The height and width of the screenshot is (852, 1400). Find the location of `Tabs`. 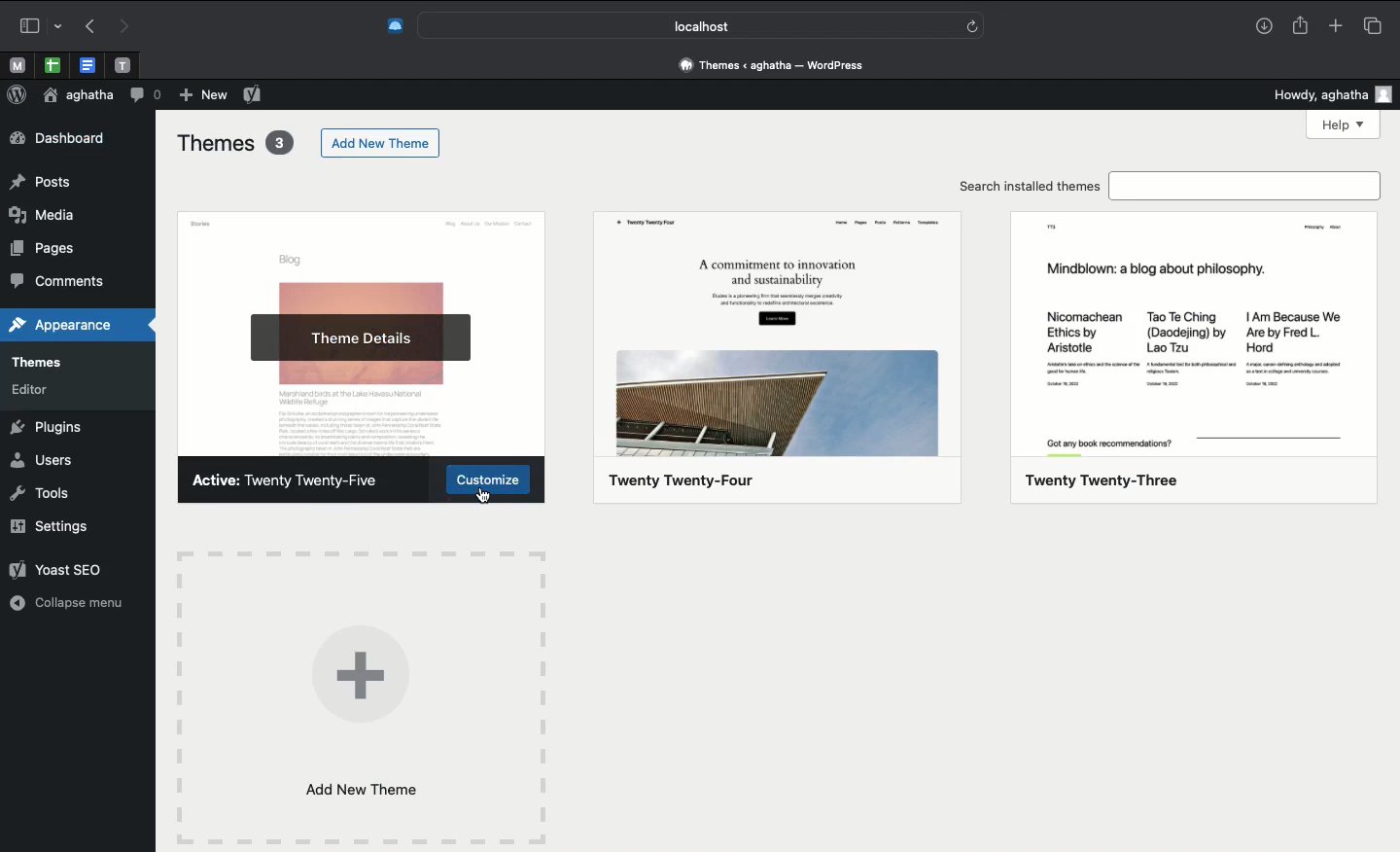

Tabs is located at coordinates (1378, 23).